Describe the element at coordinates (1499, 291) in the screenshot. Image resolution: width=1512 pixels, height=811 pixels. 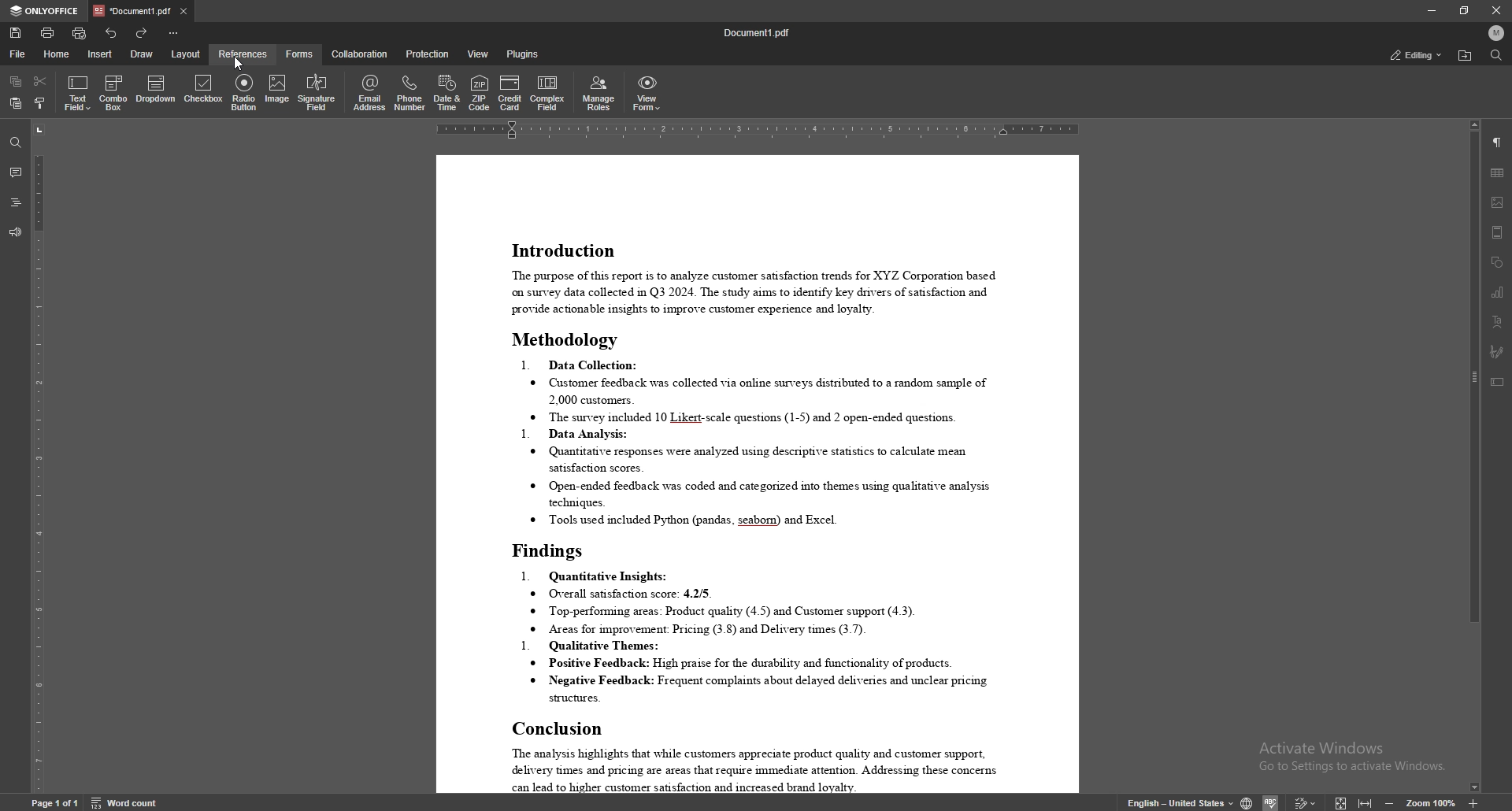
I see `chart` at that location.